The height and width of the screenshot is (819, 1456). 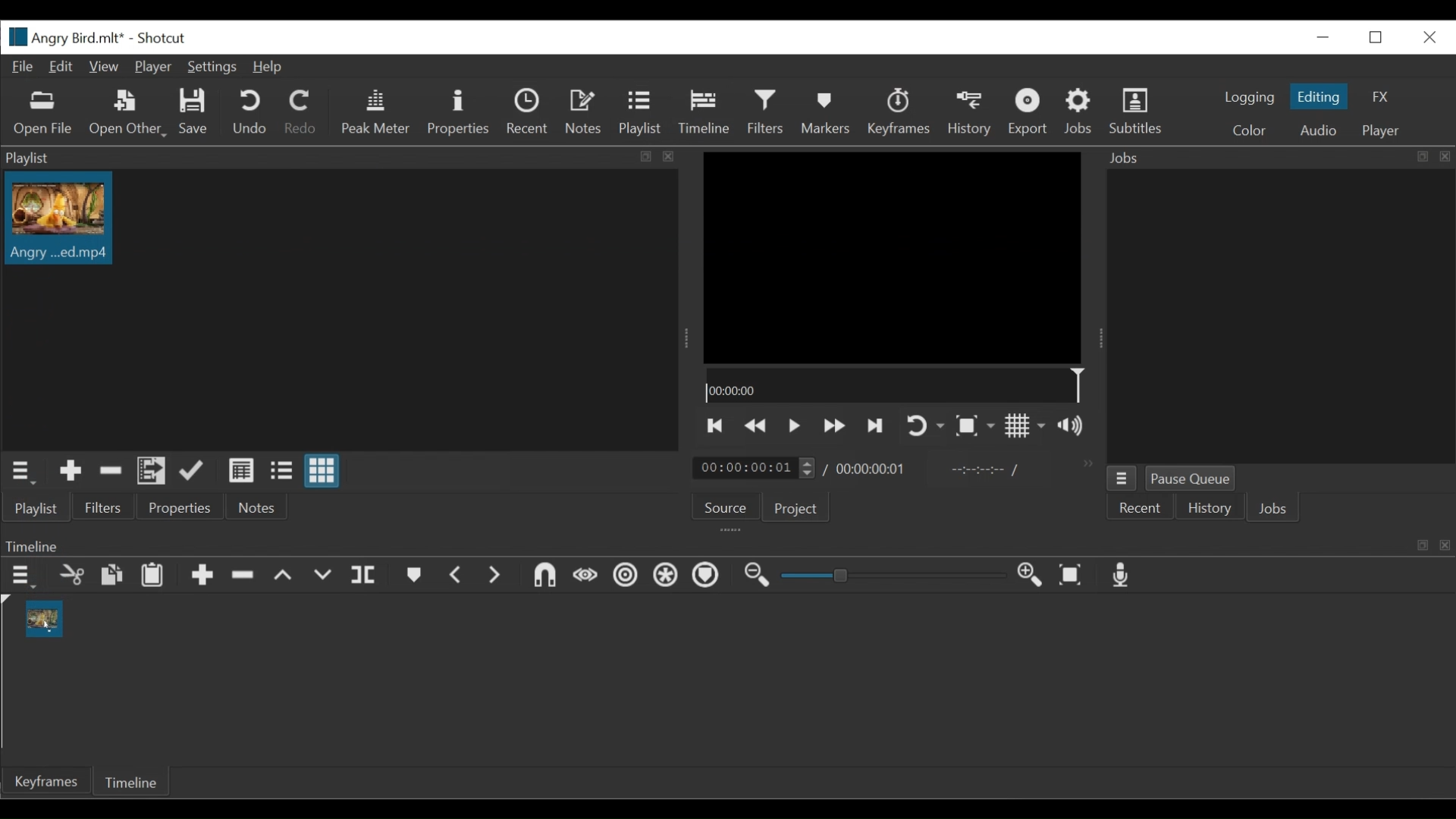 What do you see at coordinates (1125, 479) in the screenshot?
I see `Job menu` at bounding box center [1125, 479].